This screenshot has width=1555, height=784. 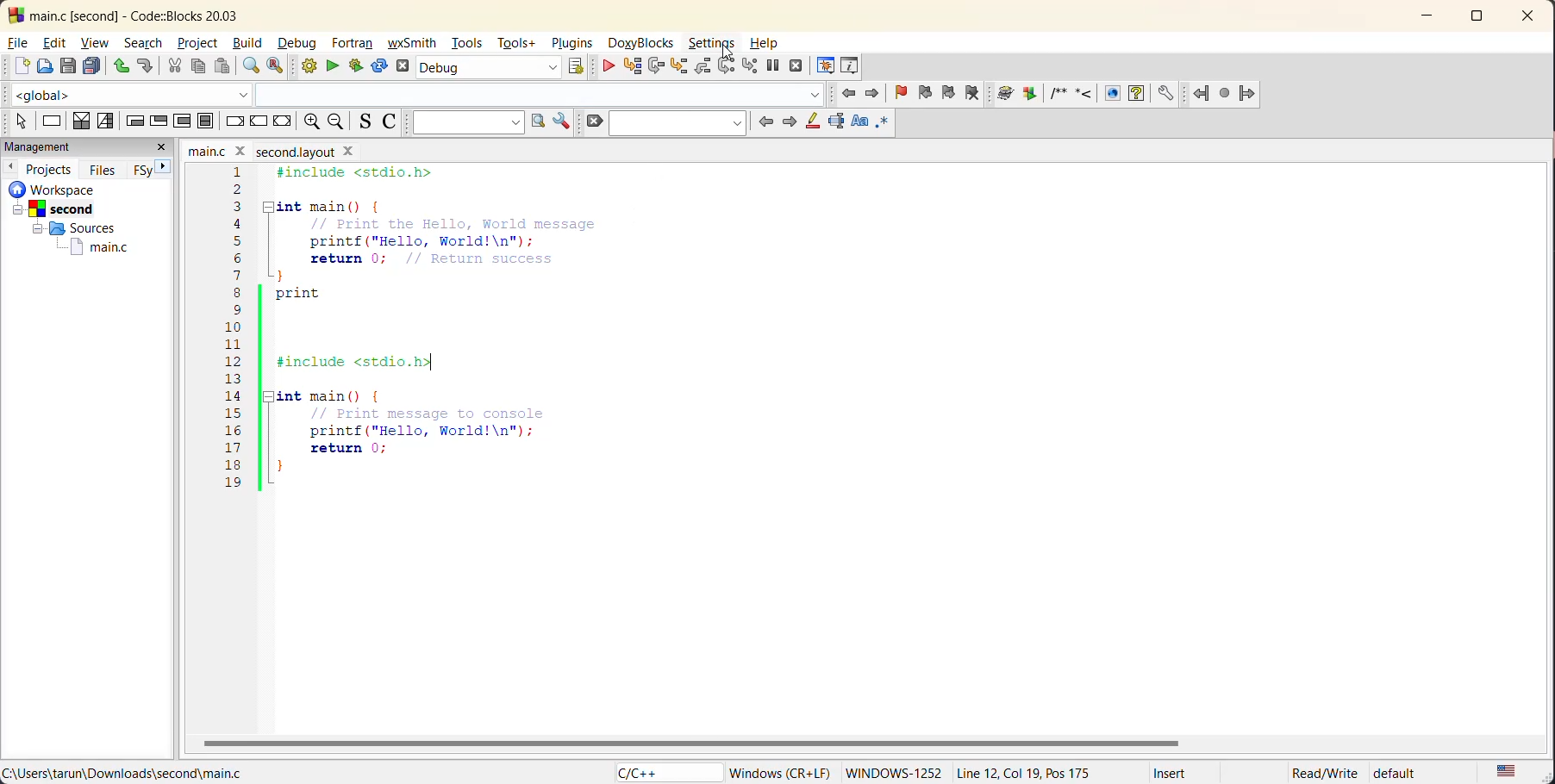 What do you see at coordinates (20, 44) in the screenshot?
I see `file` at bounding box center [20, 44].